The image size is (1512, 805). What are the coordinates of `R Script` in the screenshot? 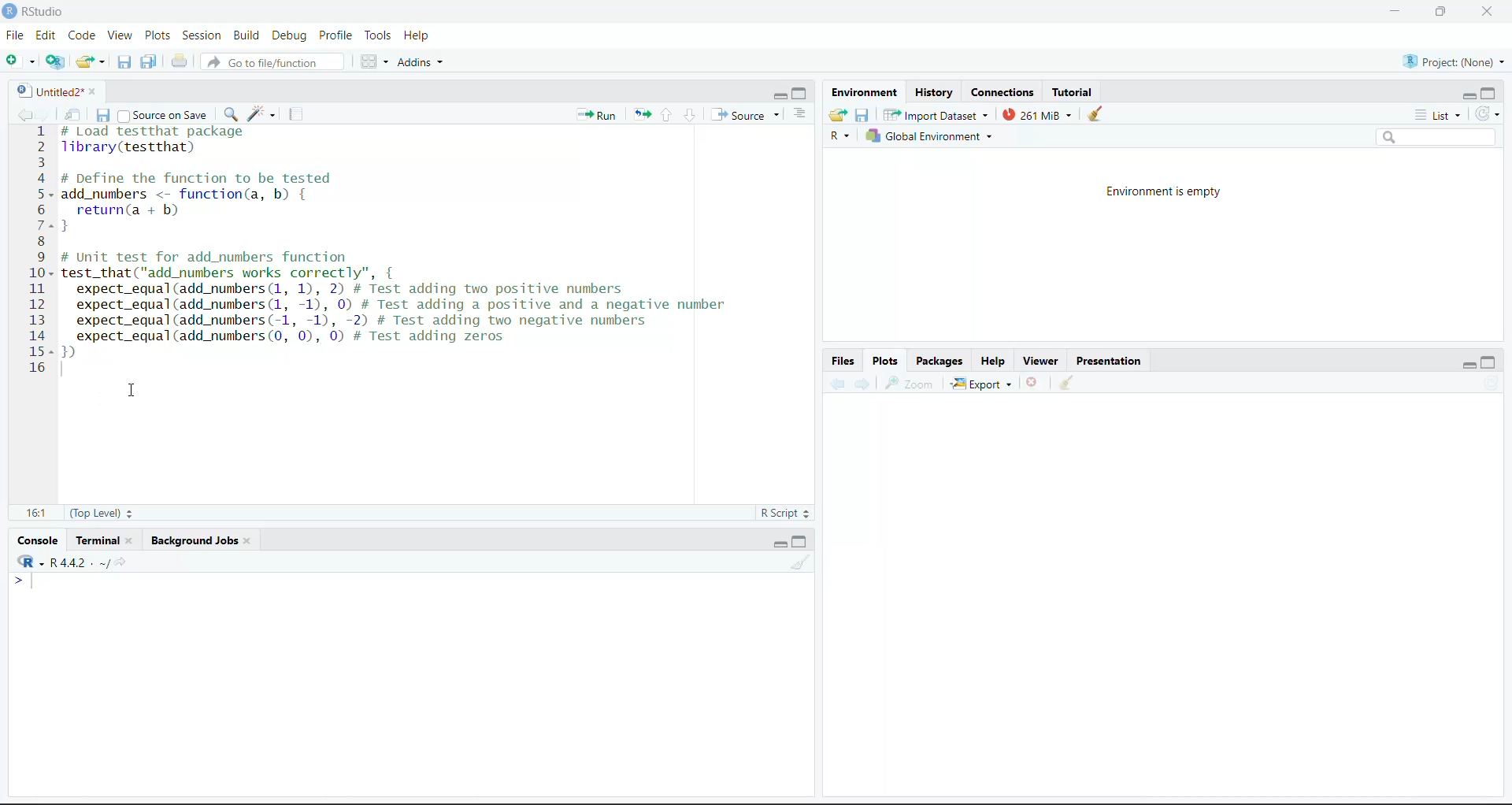 It's located at (777, 513).